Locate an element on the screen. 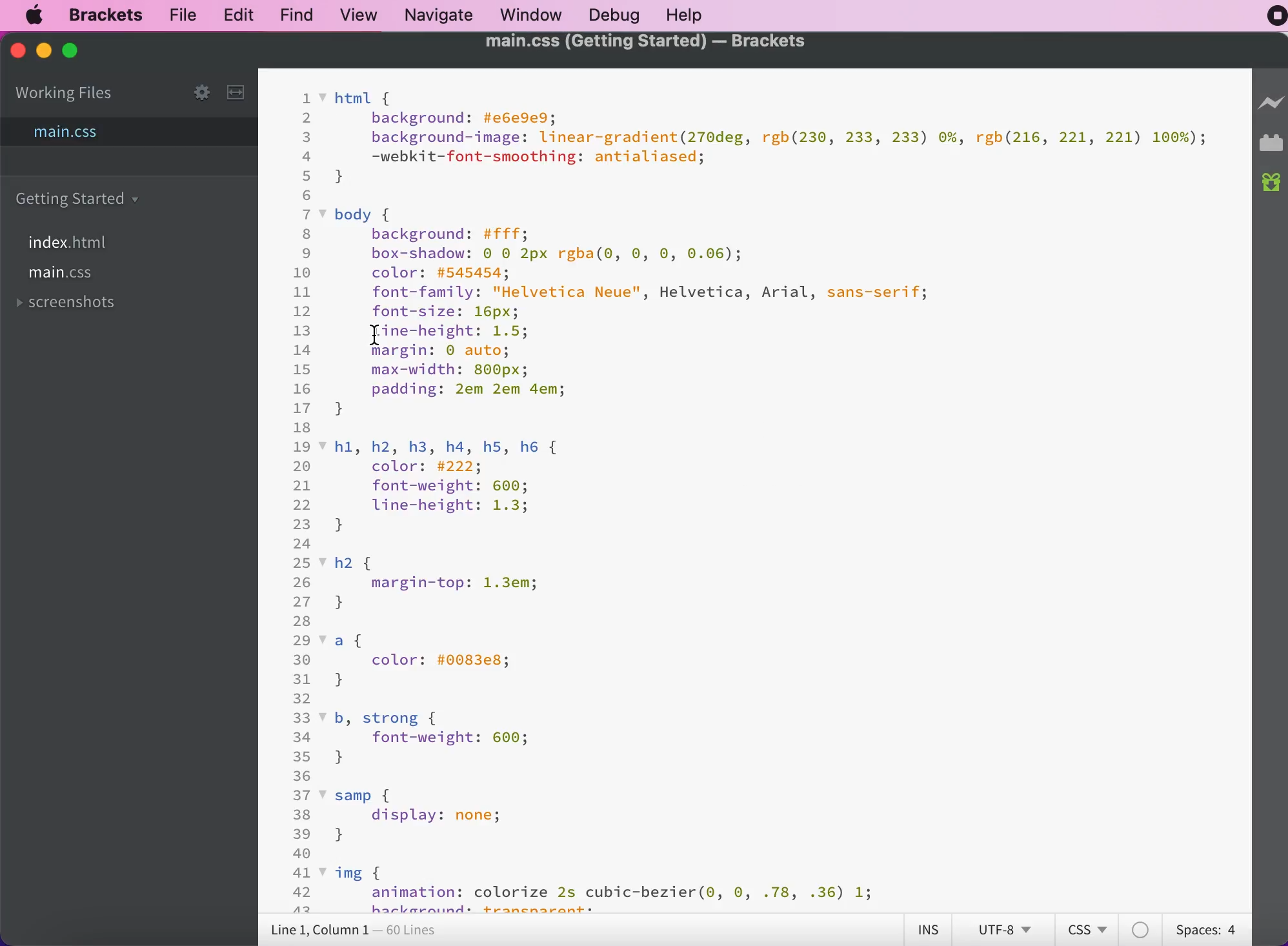  recording stopped is located at coordinates (1268, 20).